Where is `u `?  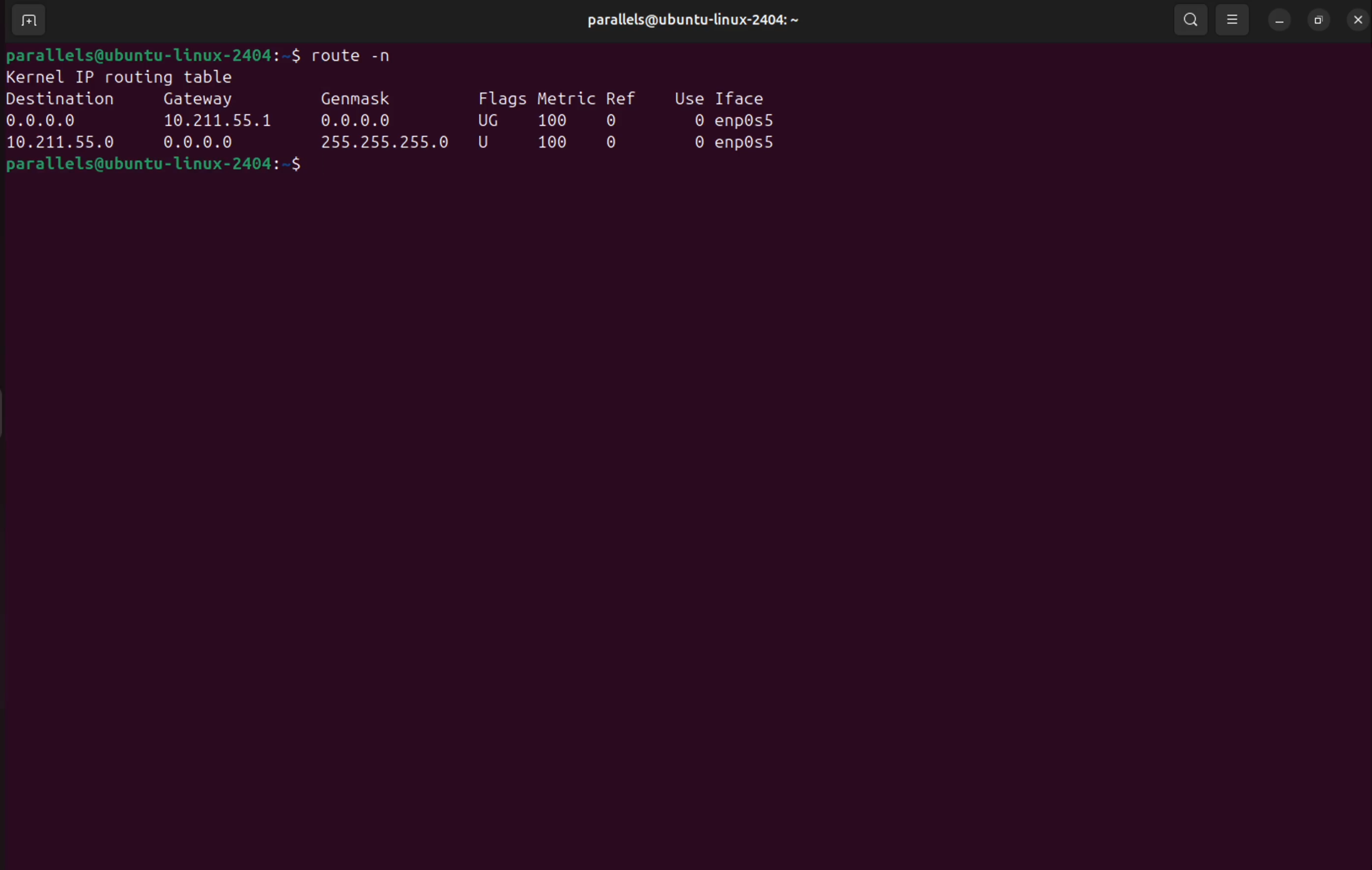
u  is located at coordinates (492, 146).